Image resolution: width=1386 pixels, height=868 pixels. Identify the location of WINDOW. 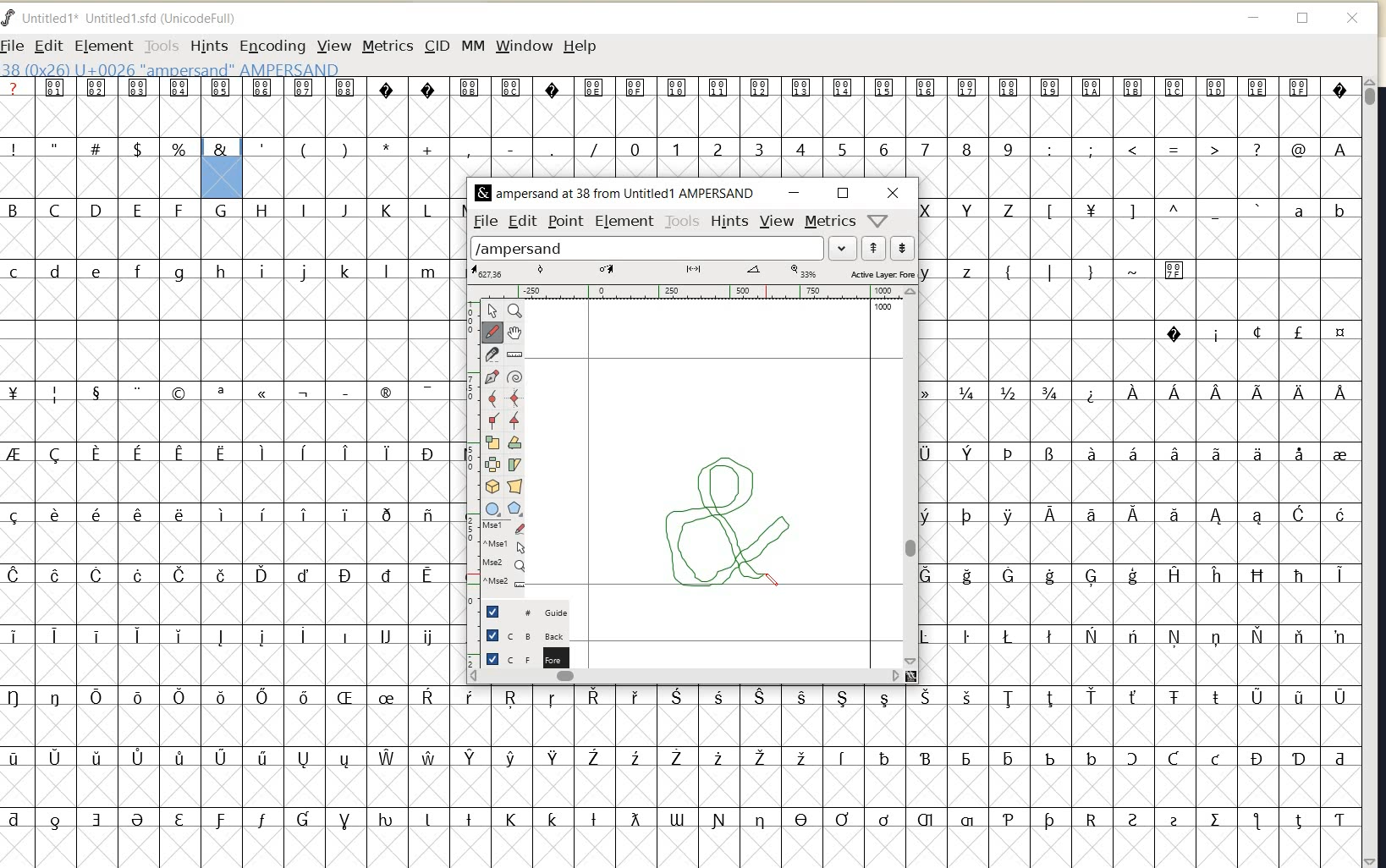
(525, 46).